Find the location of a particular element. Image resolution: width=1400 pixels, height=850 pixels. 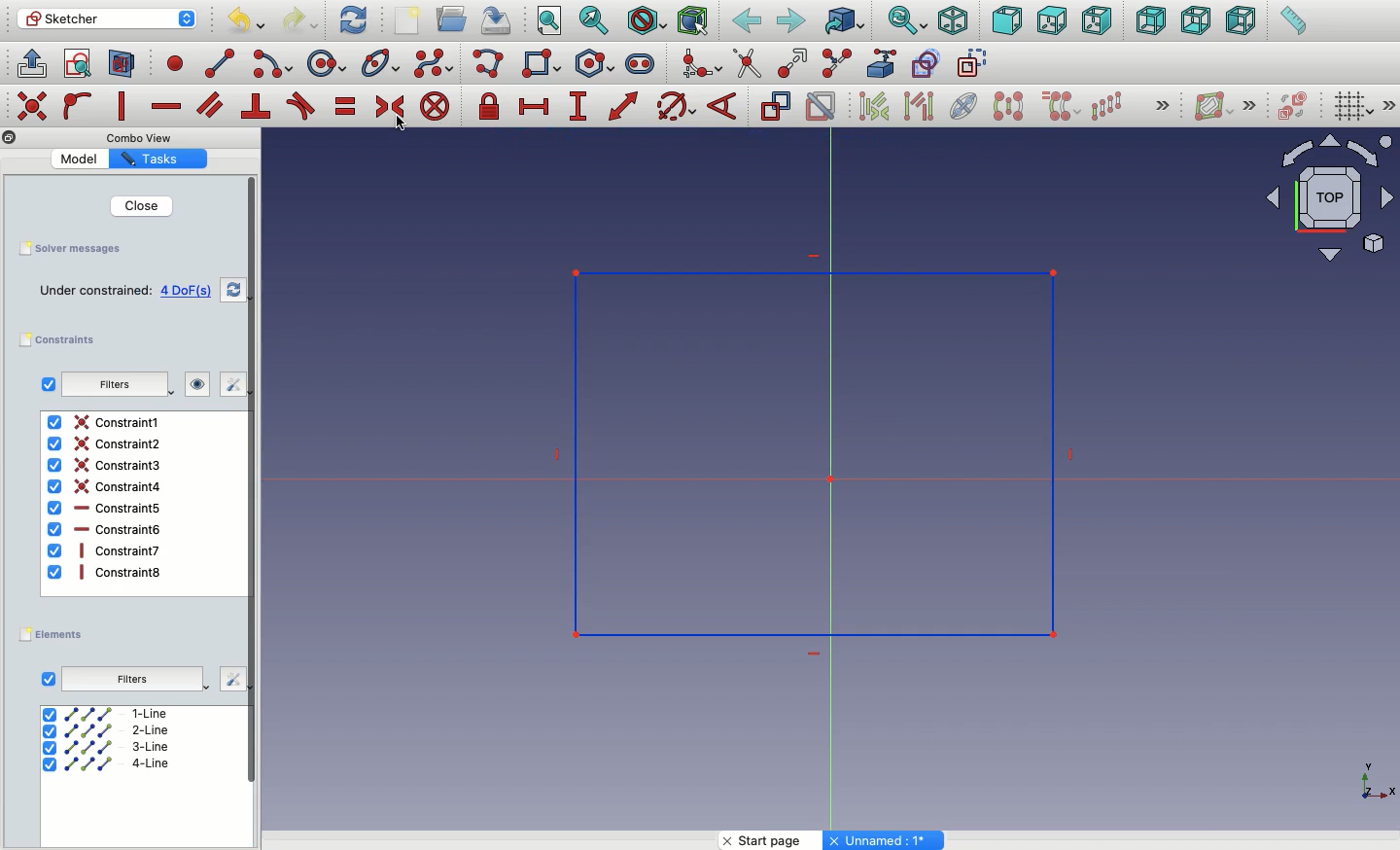

Combo View is located at coordinates (140, 137).